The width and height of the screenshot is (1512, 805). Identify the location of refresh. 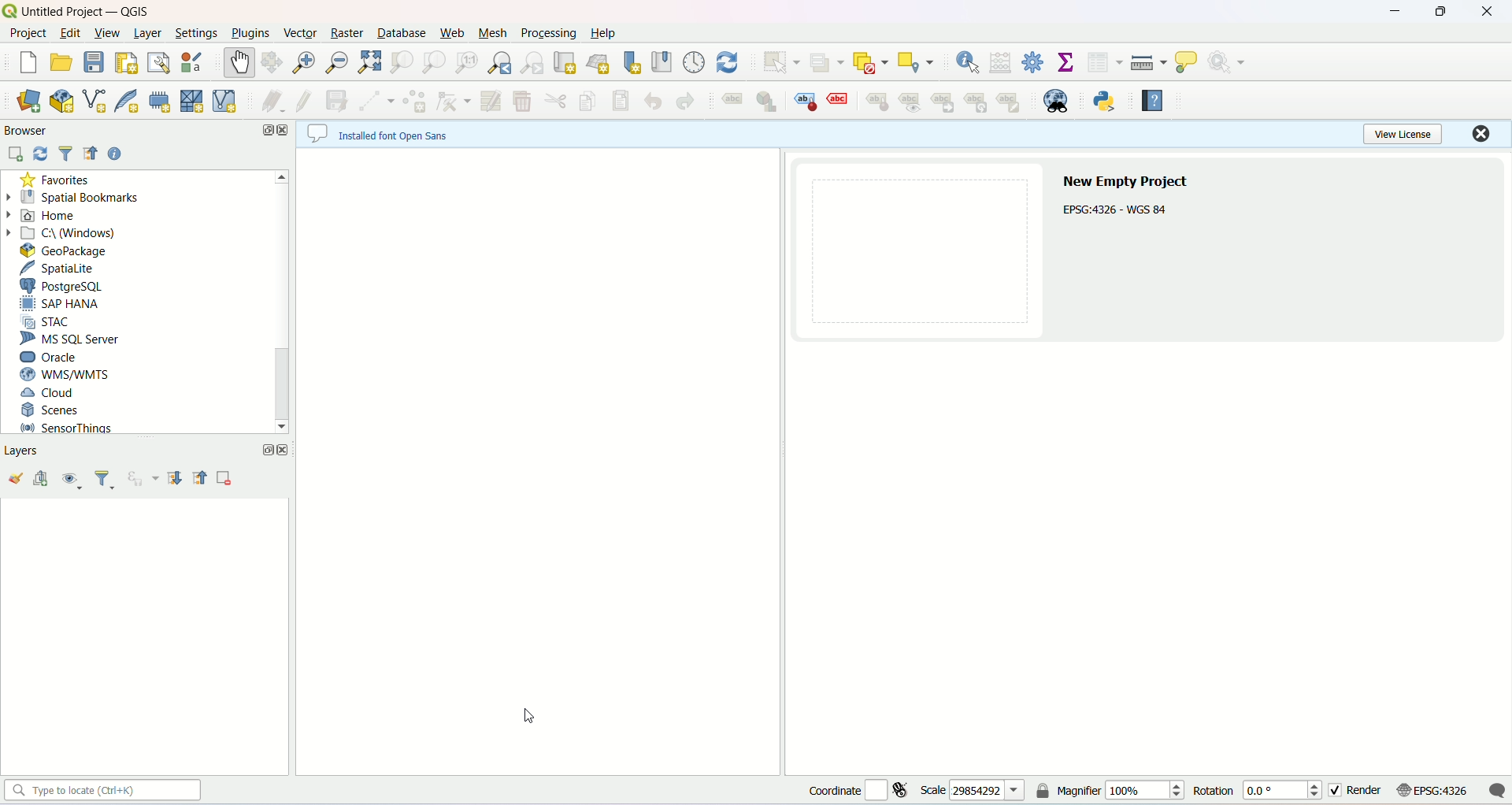
(733, 63).